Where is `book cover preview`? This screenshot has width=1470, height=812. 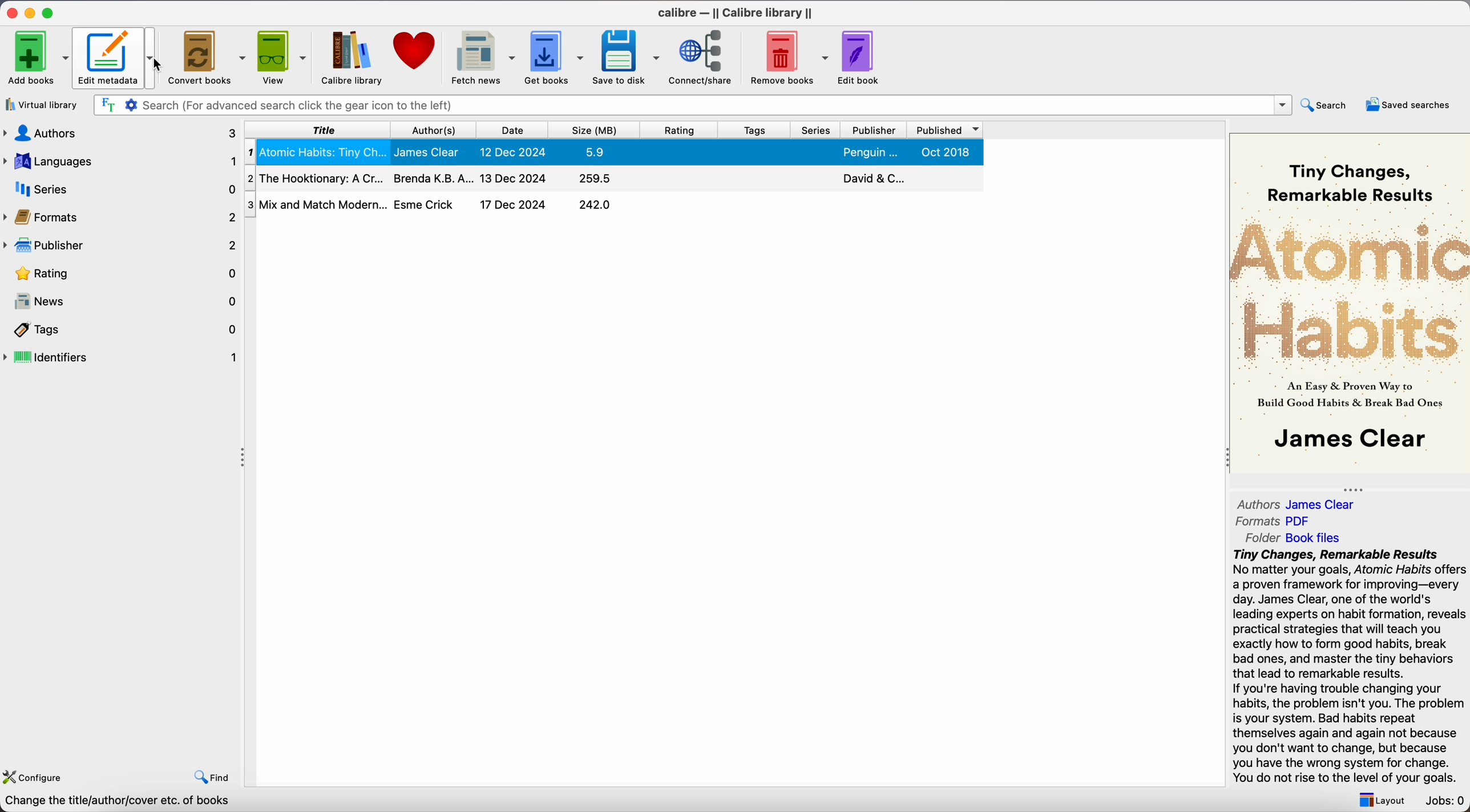
book cover preview is located at coordinates (1351, 304).